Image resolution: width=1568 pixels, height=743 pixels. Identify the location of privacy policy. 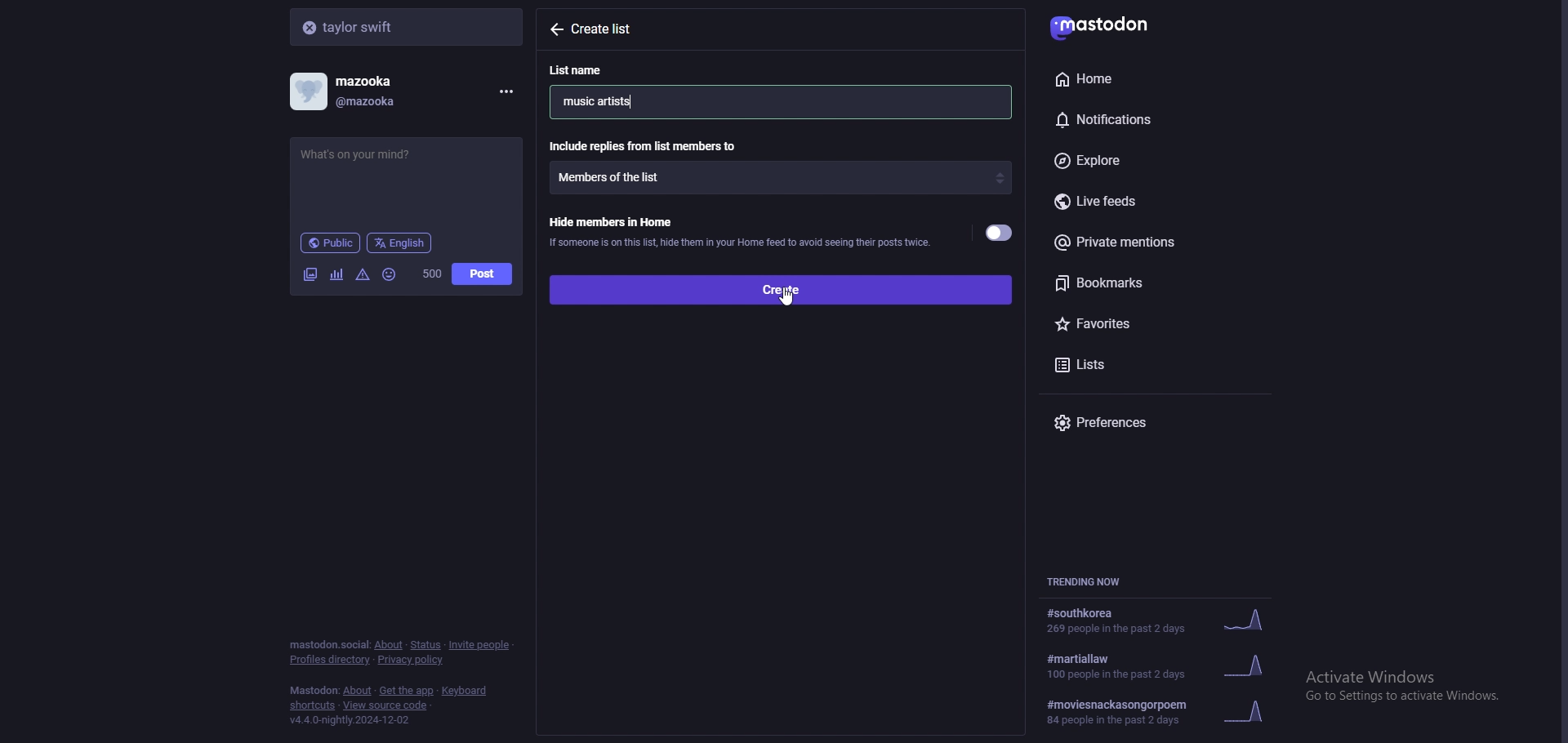
(412, 661).